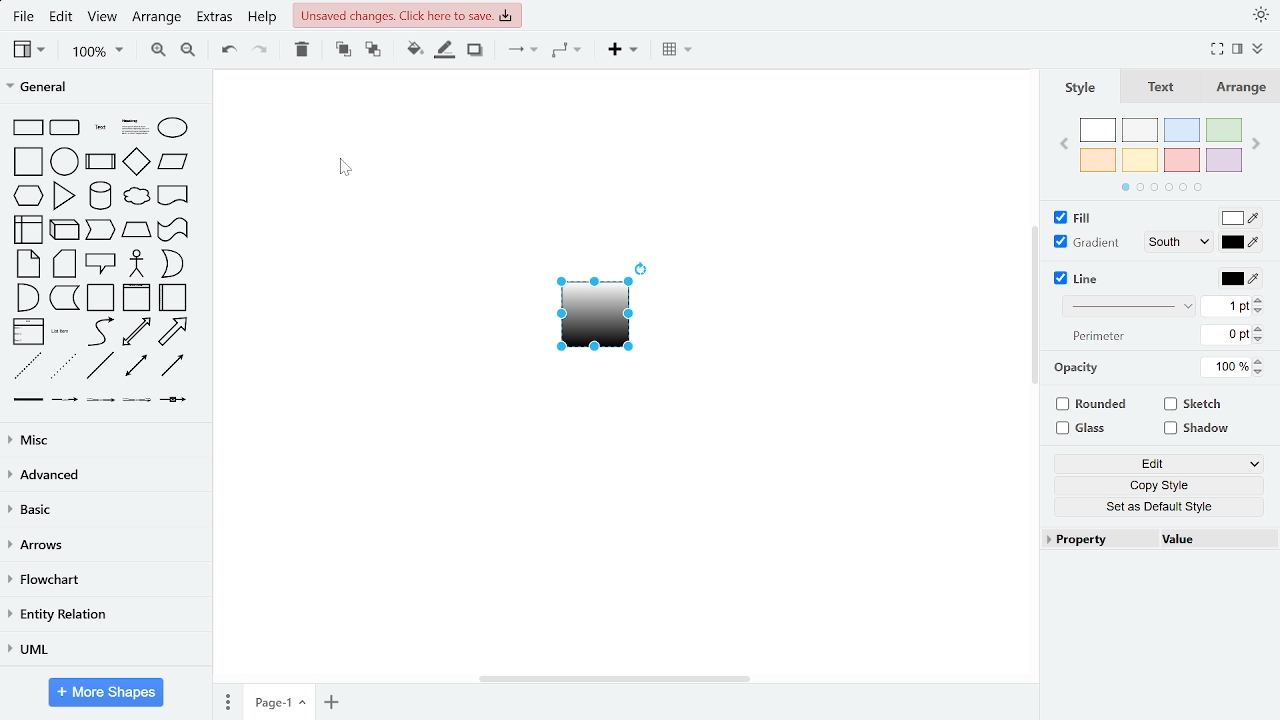  I want to click on fill , so click(1078, 219).